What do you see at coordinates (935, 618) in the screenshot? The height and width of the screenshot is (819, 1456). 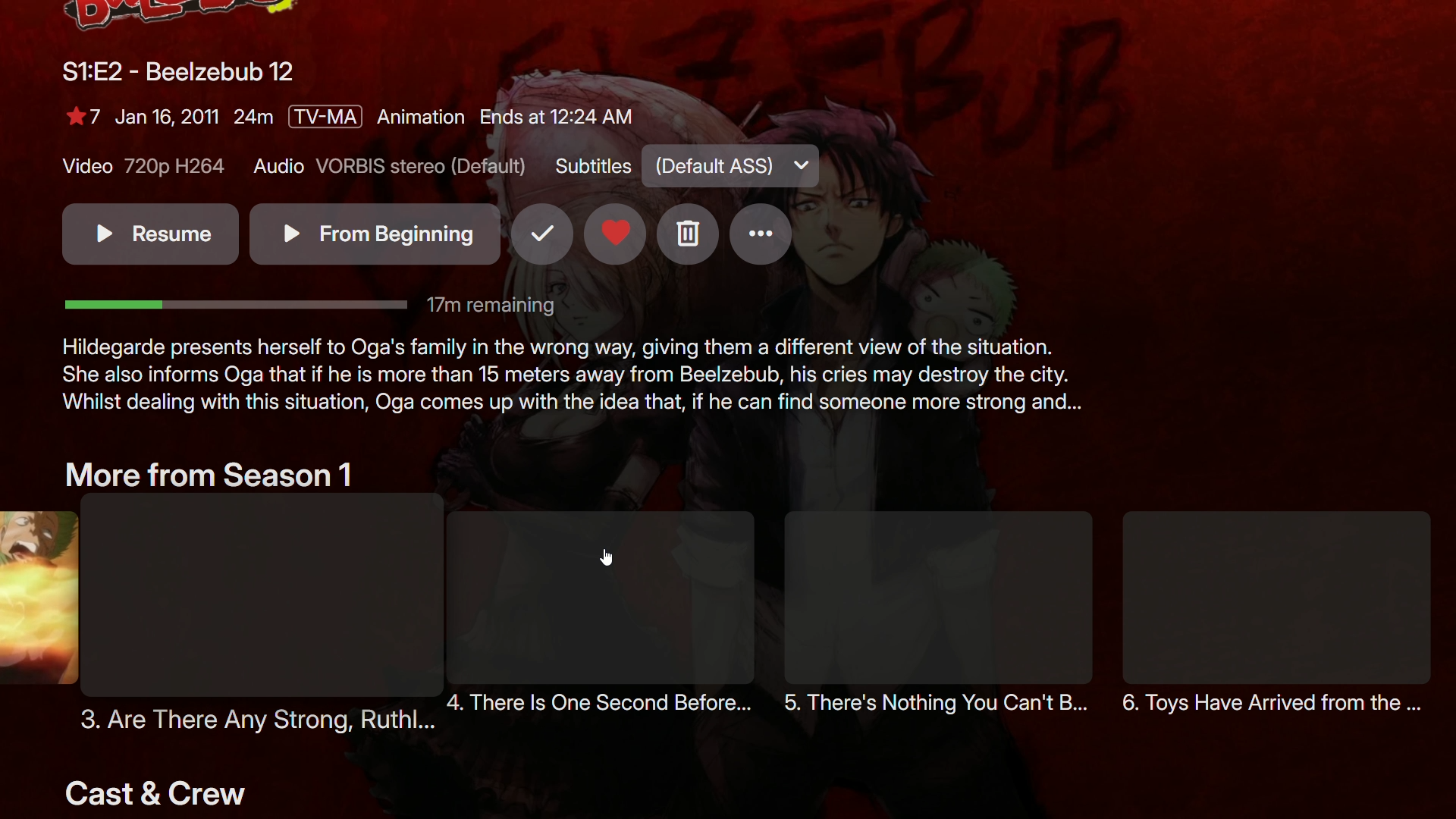 I see `There's nothing you can't` at bounding box center [935, 618].